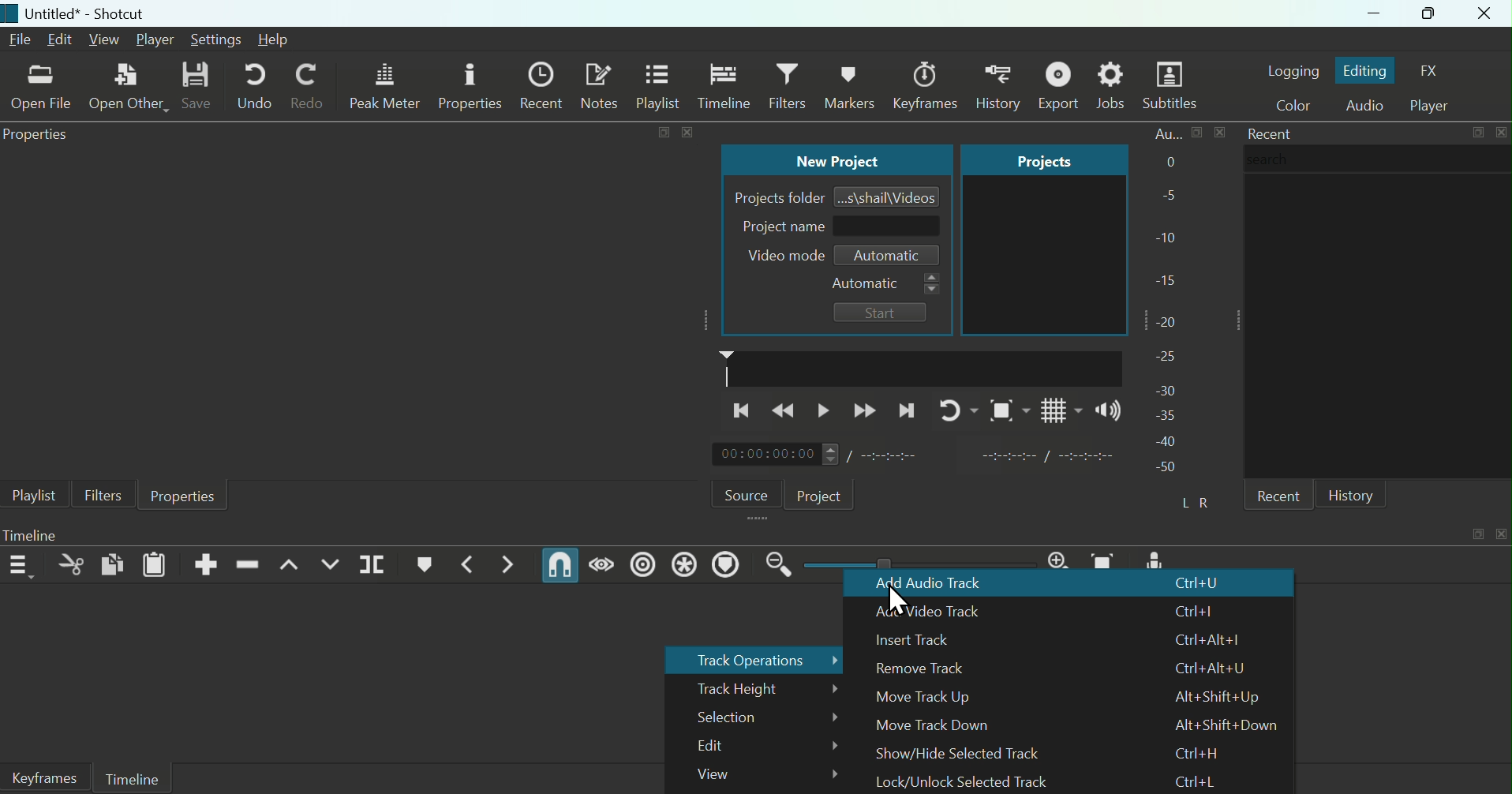 This screenshot has height=794, width=1512. I want to click on Keyframes, so click(997, 83).